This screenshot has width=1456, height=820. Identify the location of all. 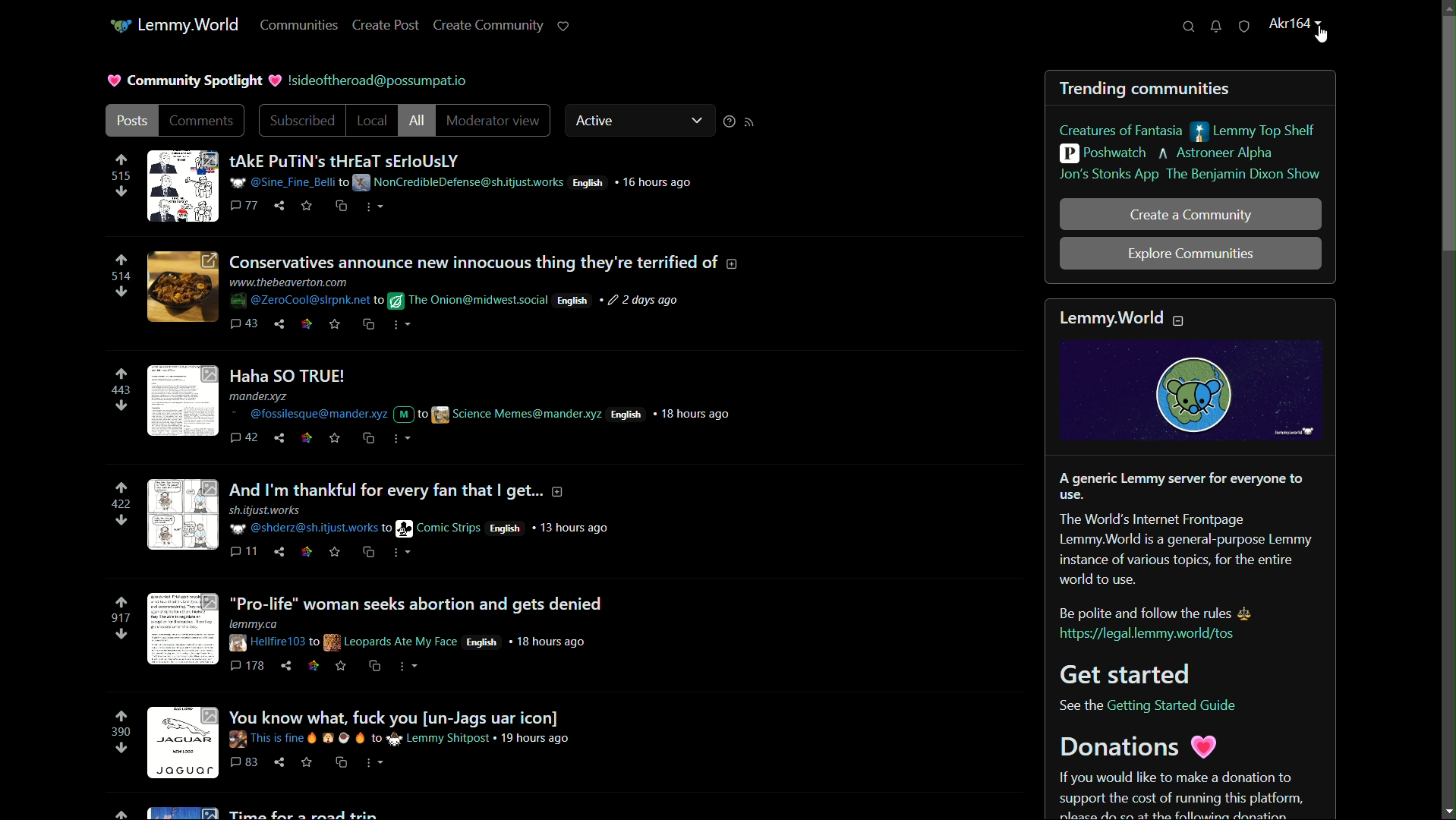
(416, 121).